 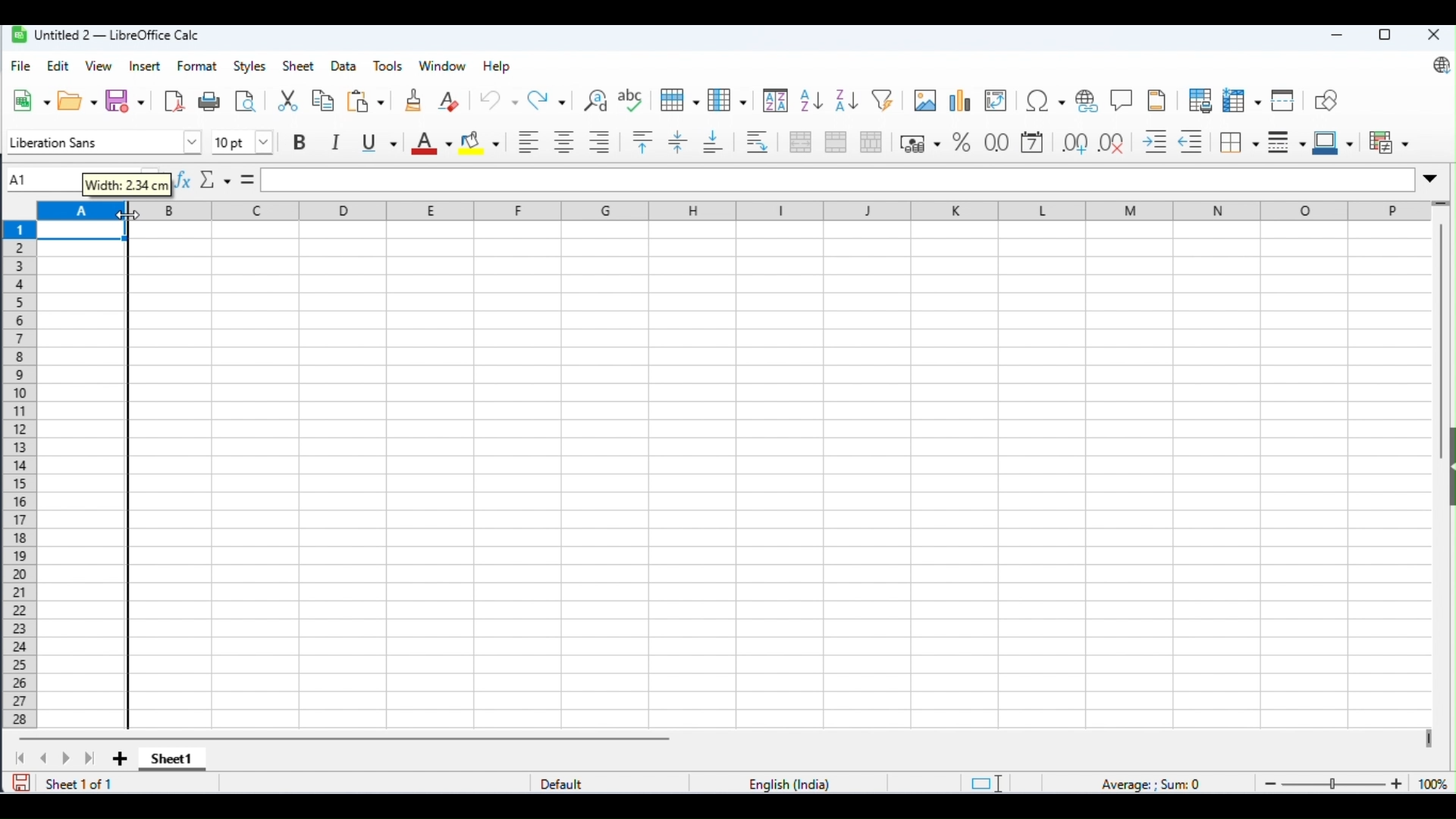 What do you see at coordinates (792, 783) in the screenshot?
I see `language` at bounding box center [792, 783].